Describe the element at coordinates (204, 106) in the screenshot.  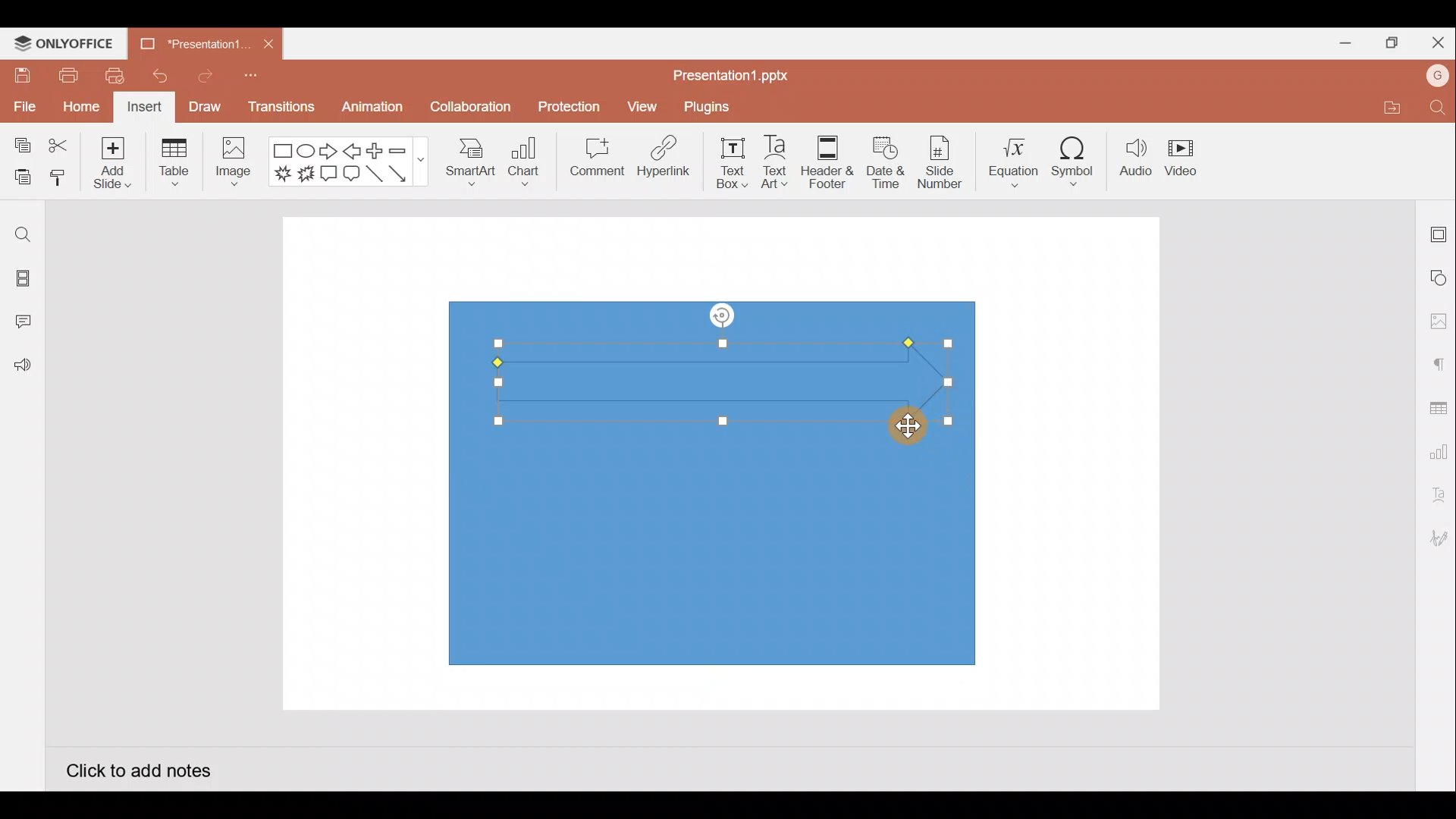
I see `Draw` at that location.